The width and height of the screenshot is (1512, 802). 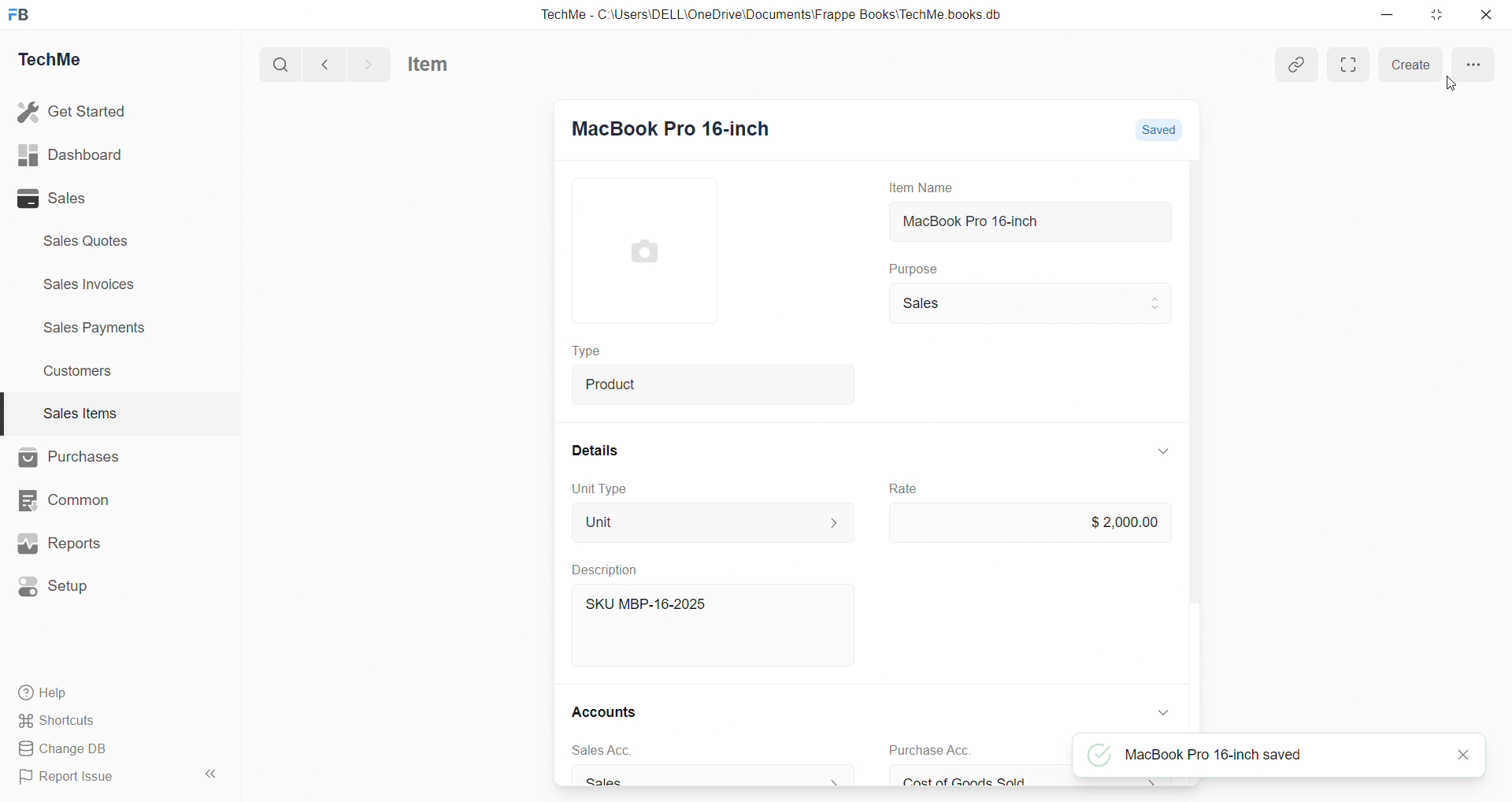 I want to click on Sales Items, so click(x=80, y=413).